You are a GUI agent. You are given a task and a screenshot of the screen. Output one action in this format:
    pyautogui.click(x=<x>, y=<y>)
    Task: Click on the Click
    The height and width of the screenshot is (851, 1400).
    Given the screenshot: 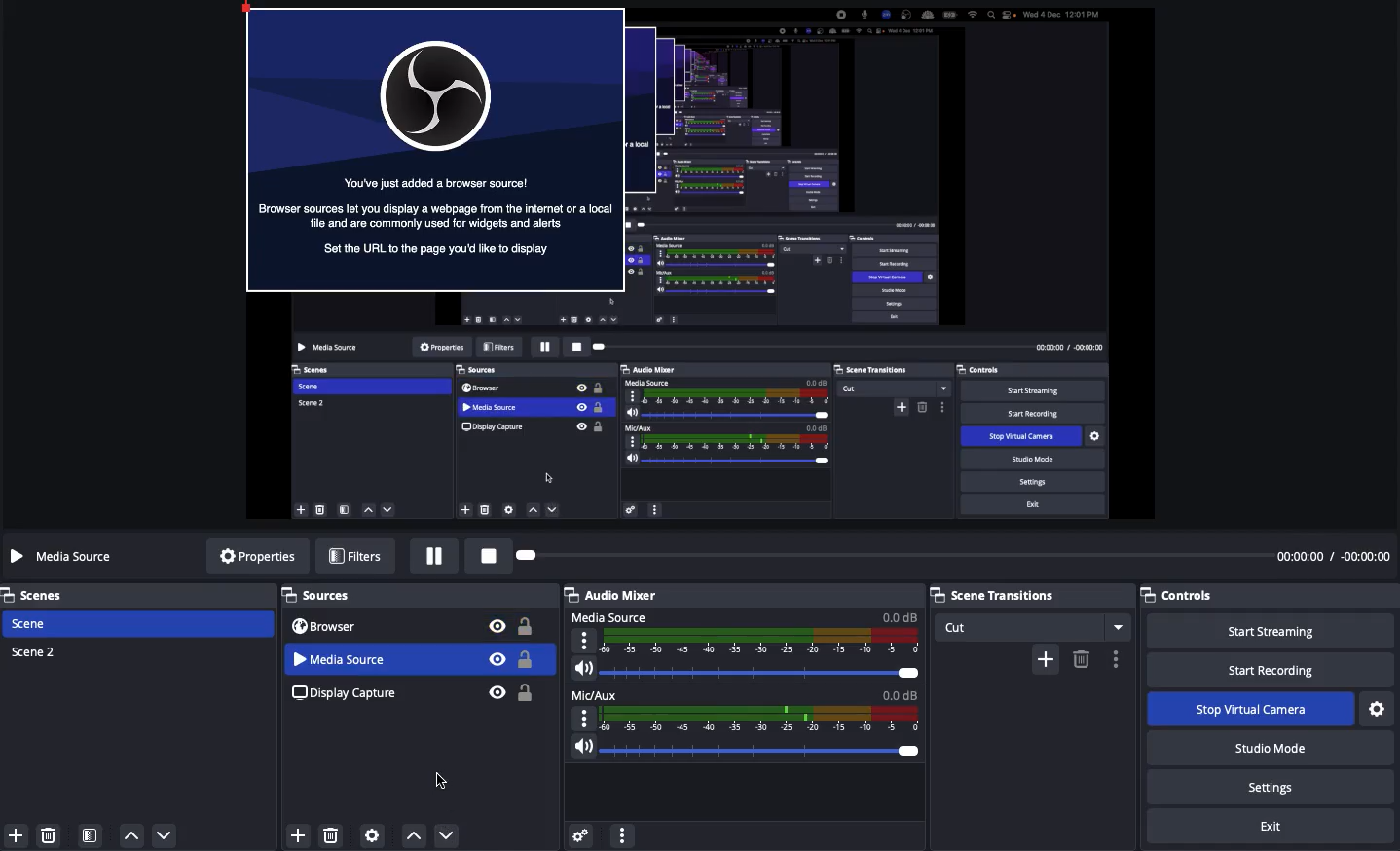 What is the action you would take?
    pyautogui.click(x=447, y=835)
    